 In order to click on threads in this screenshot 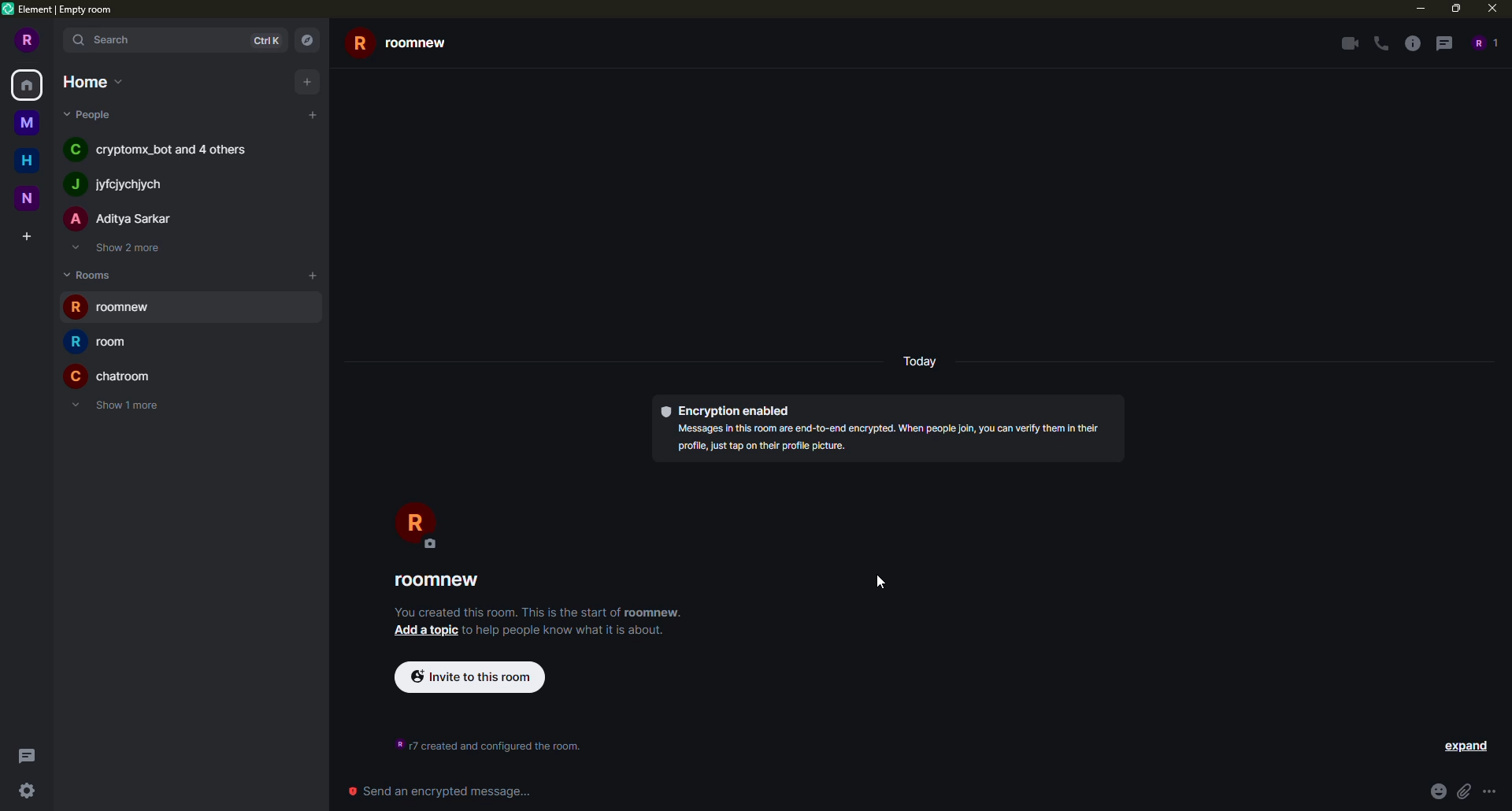, I will do `click(27, 755)`.